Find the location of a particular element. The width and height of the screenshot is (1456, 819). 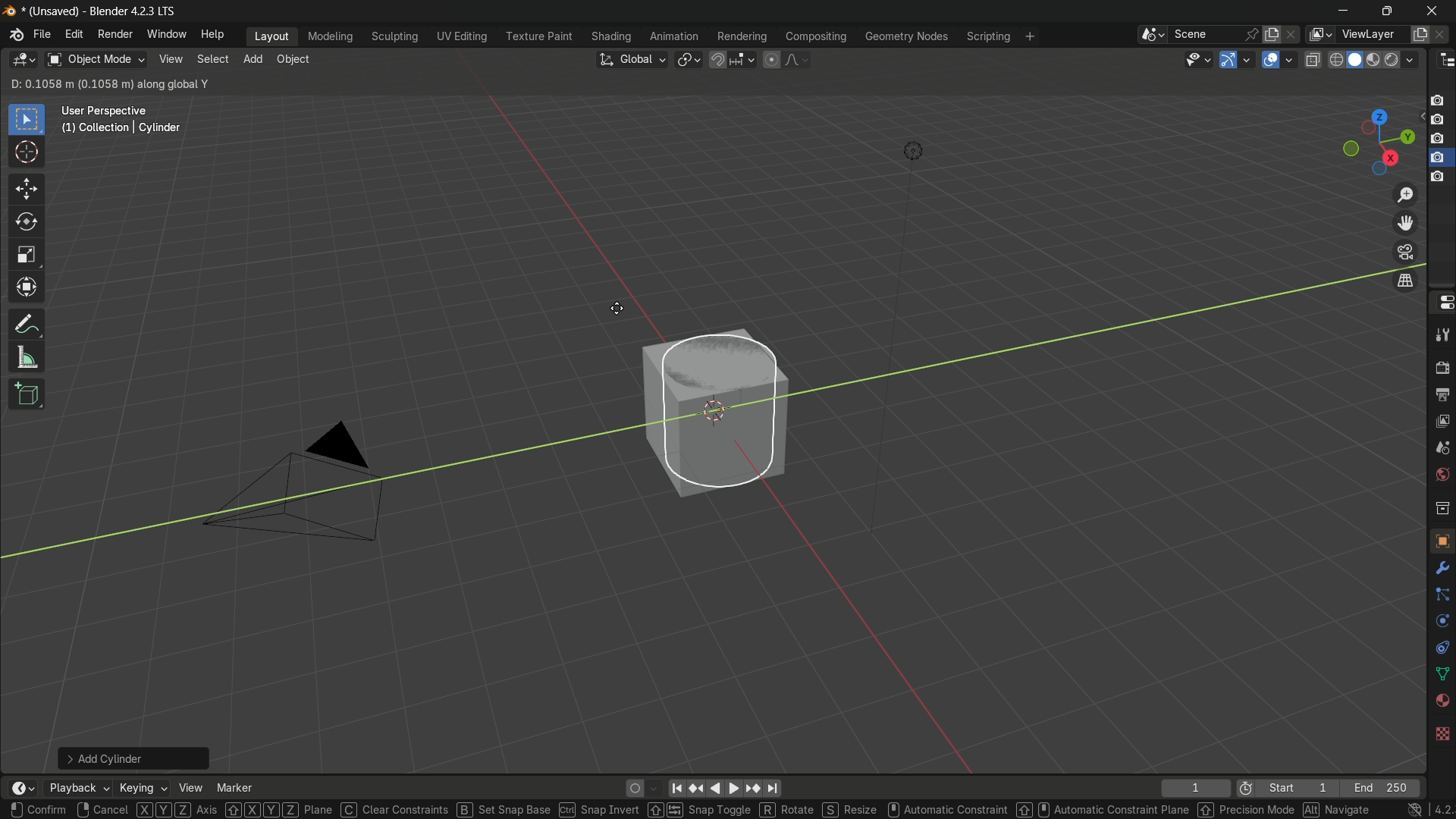

object mode is located at coordinates (95, 59).